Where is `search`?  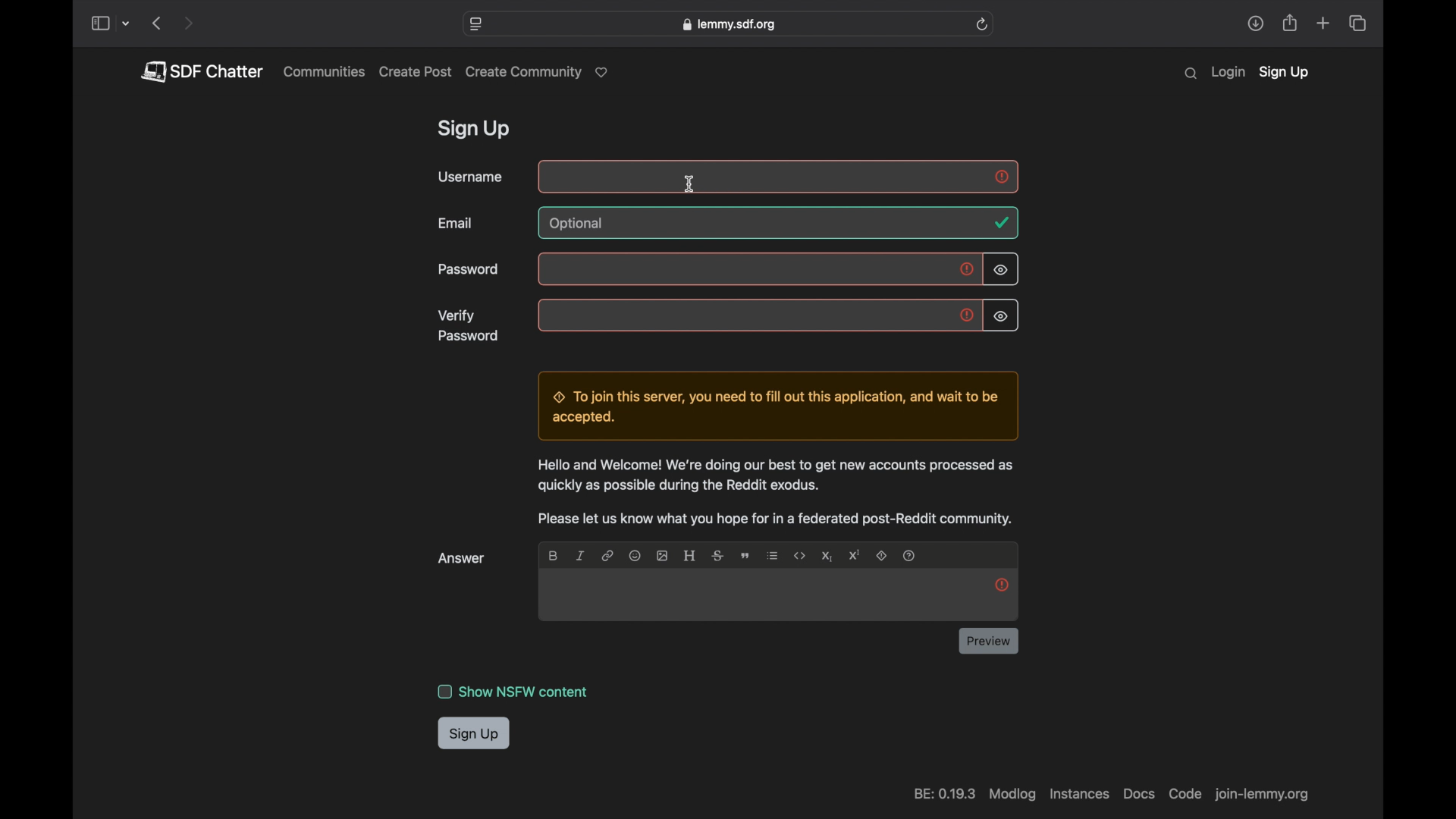
search is located at coordinates (1191, 74).